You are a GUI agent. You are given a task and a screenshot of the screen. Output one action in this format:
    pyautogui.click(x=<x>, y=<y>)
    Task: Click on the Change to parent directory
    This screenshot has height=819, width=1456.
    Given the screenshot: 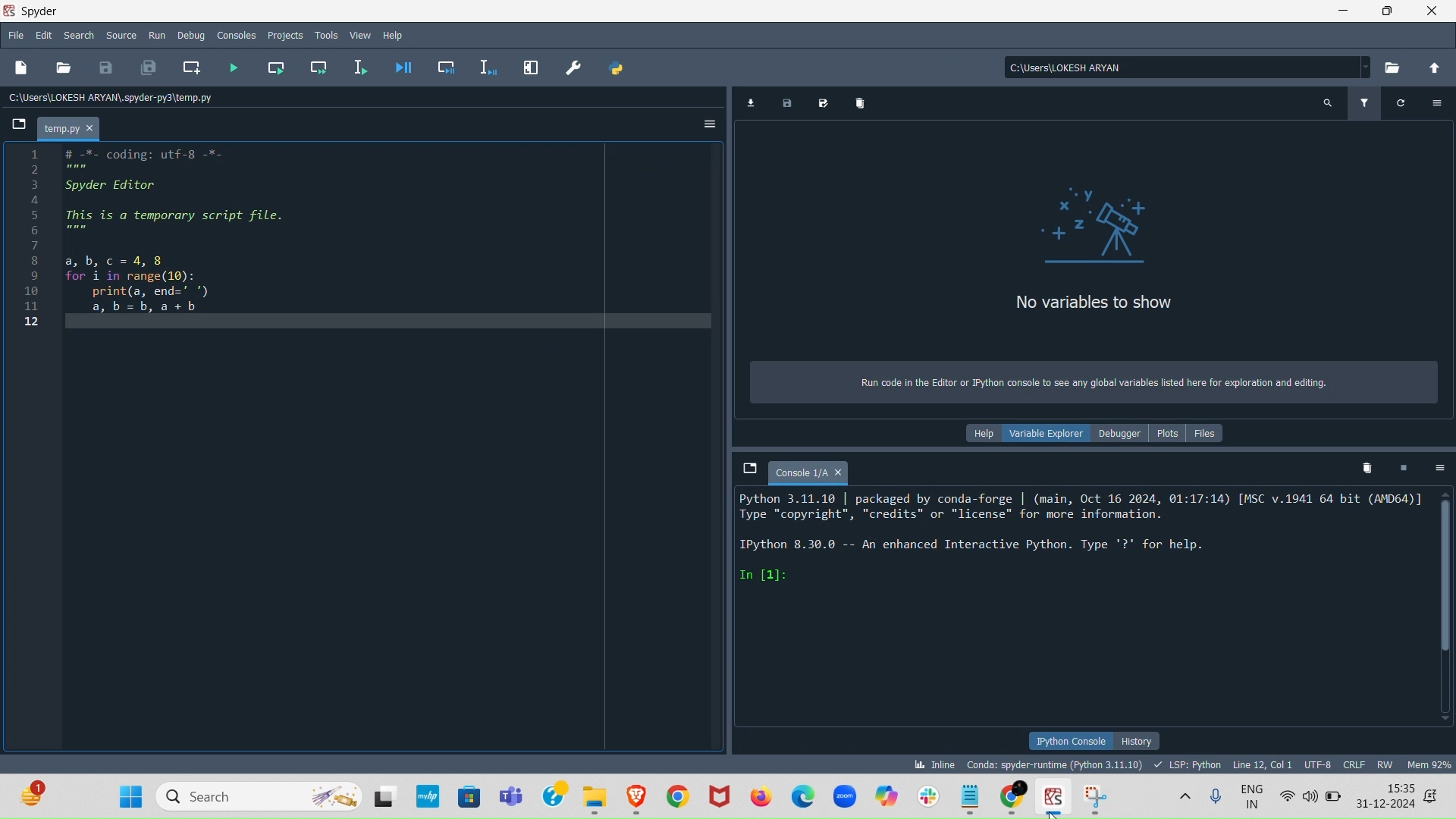 What is the action you would take?
    pyautogui.click(x=1432, y=67)
    